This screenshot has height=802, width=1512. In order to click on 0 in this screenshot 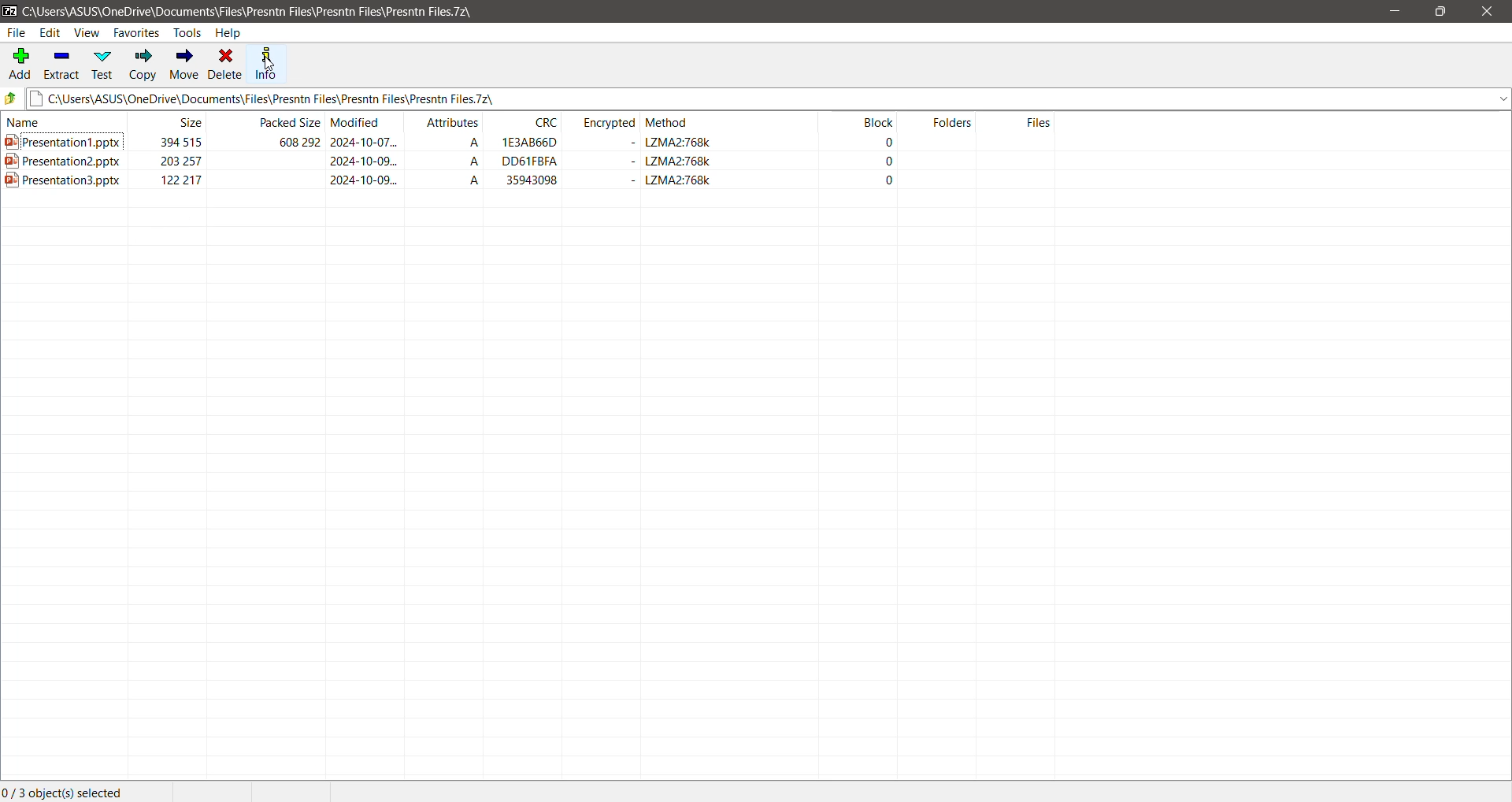, I will do `click(887, 143)`.